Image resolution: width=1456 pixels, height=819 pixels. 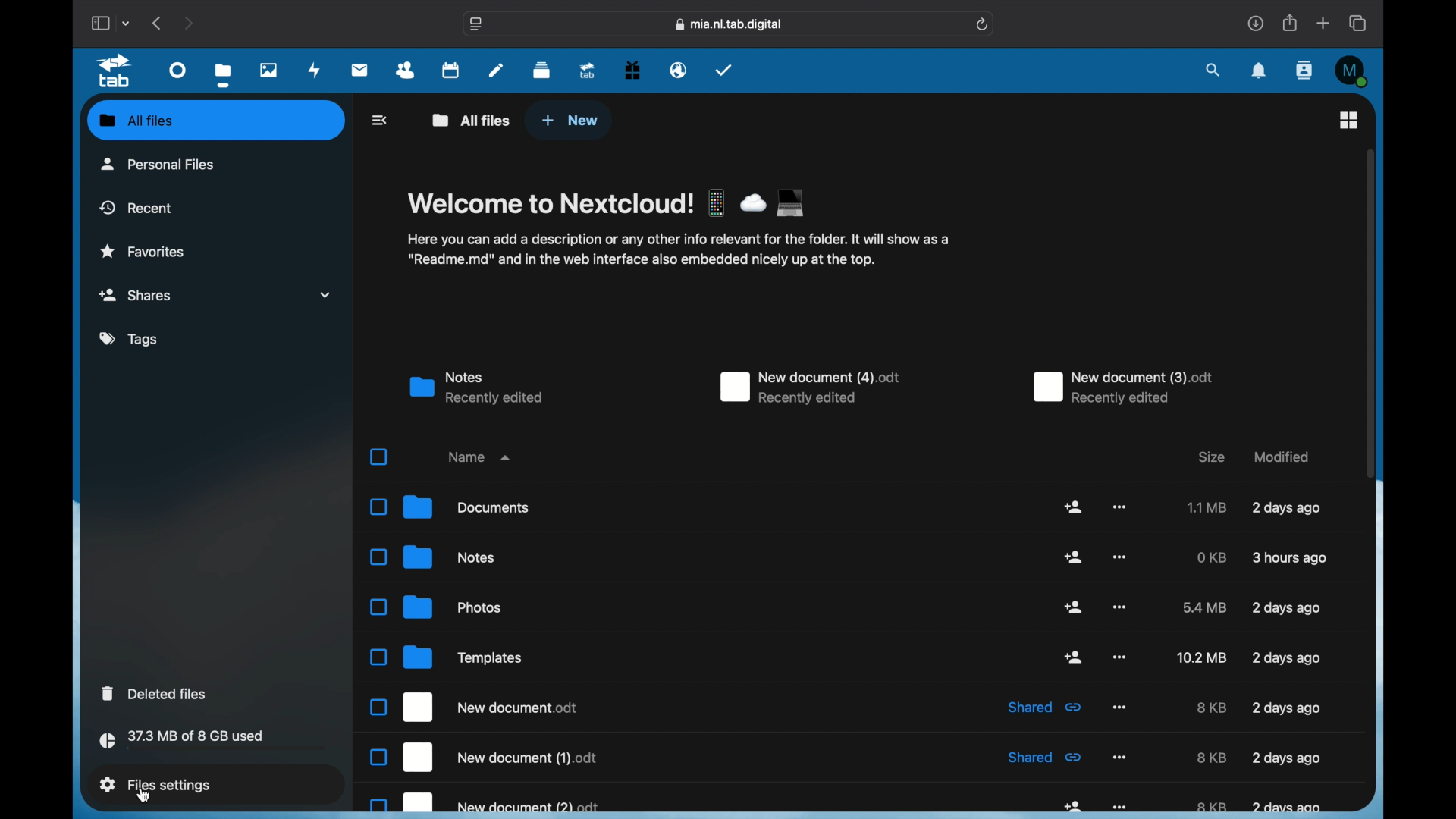 What do you see at coordinates (315, 70) in the screenshot?
I see `activity` at bounding box center [315, 70].